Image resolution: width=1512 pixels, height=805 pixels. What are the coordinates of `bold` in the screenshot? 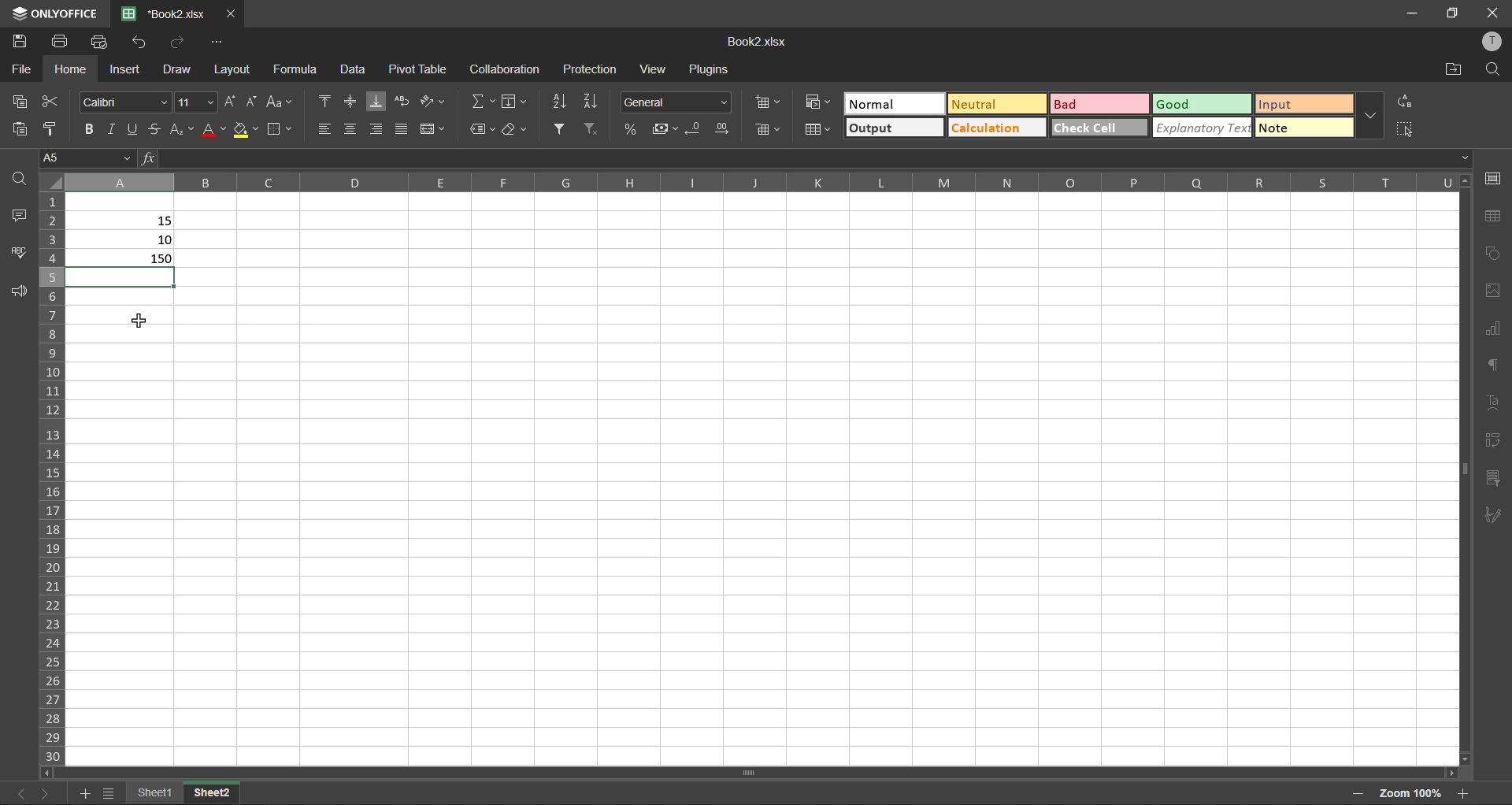 It's located at (87, 126).